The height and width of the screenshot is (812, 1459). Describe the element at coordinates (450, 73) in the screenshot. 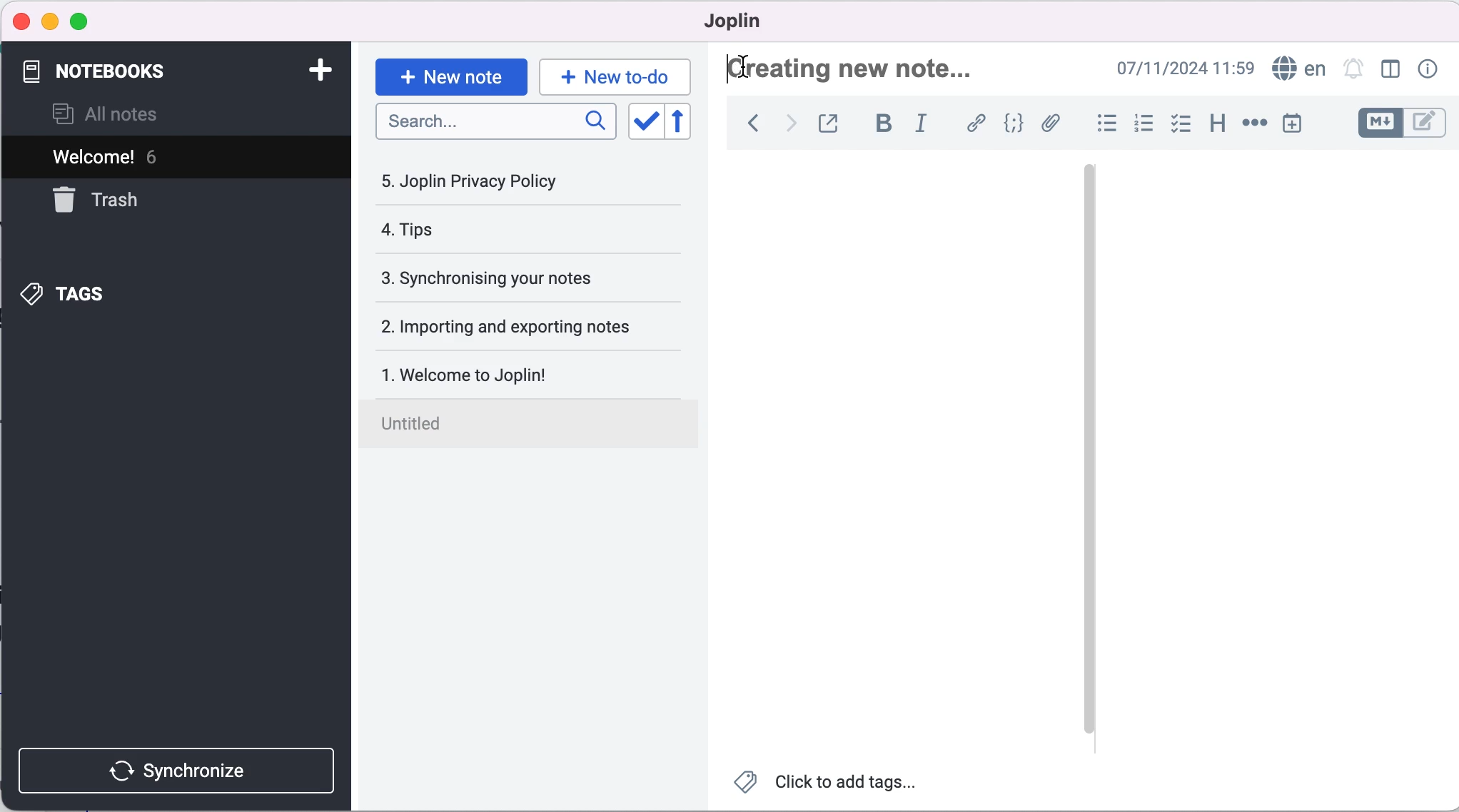

I see `new note` at that location.